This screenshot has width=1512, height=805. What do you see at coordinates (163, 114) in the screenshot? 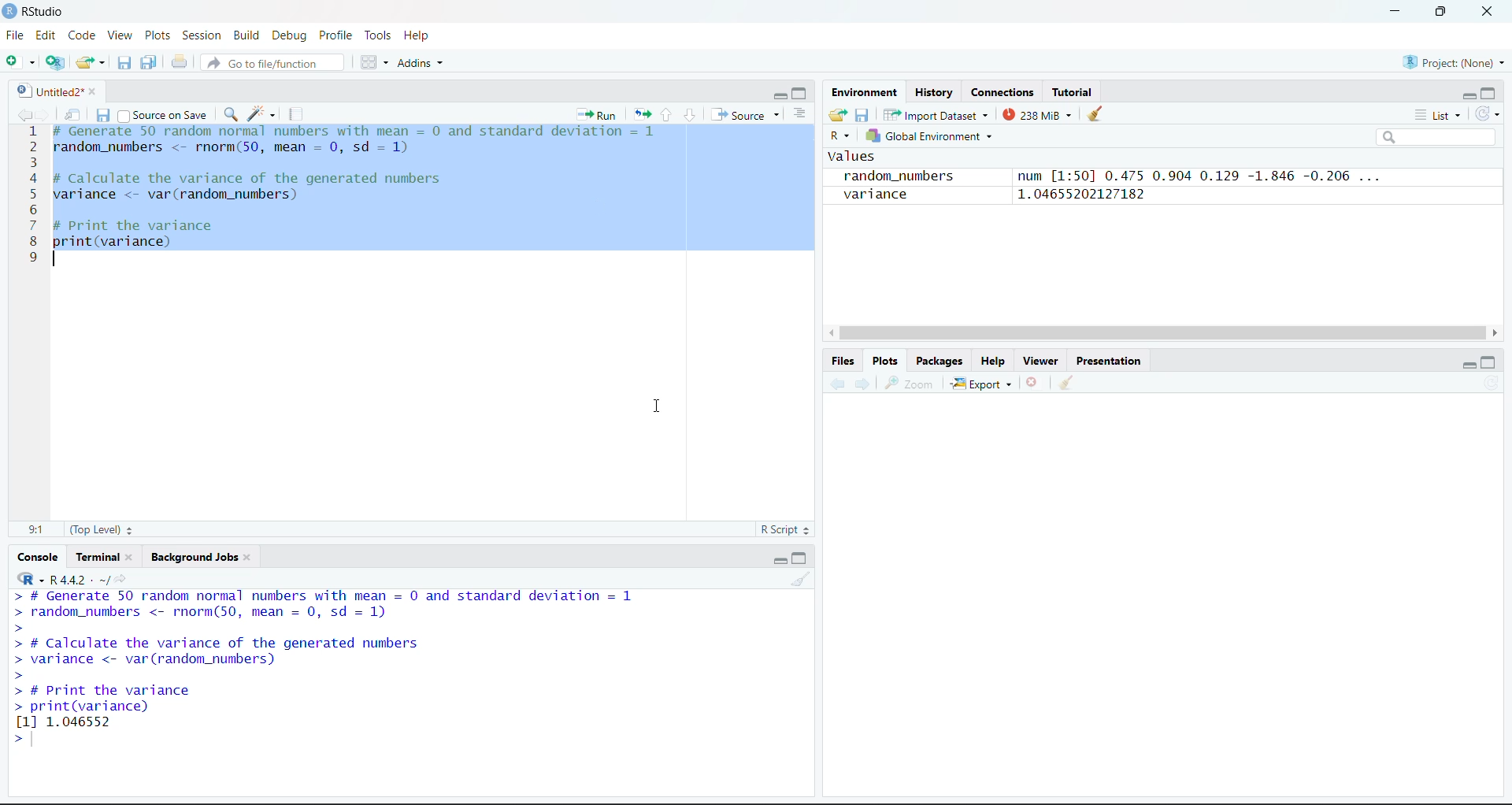
I see `Source on Save` at bounding box center [163, 114].